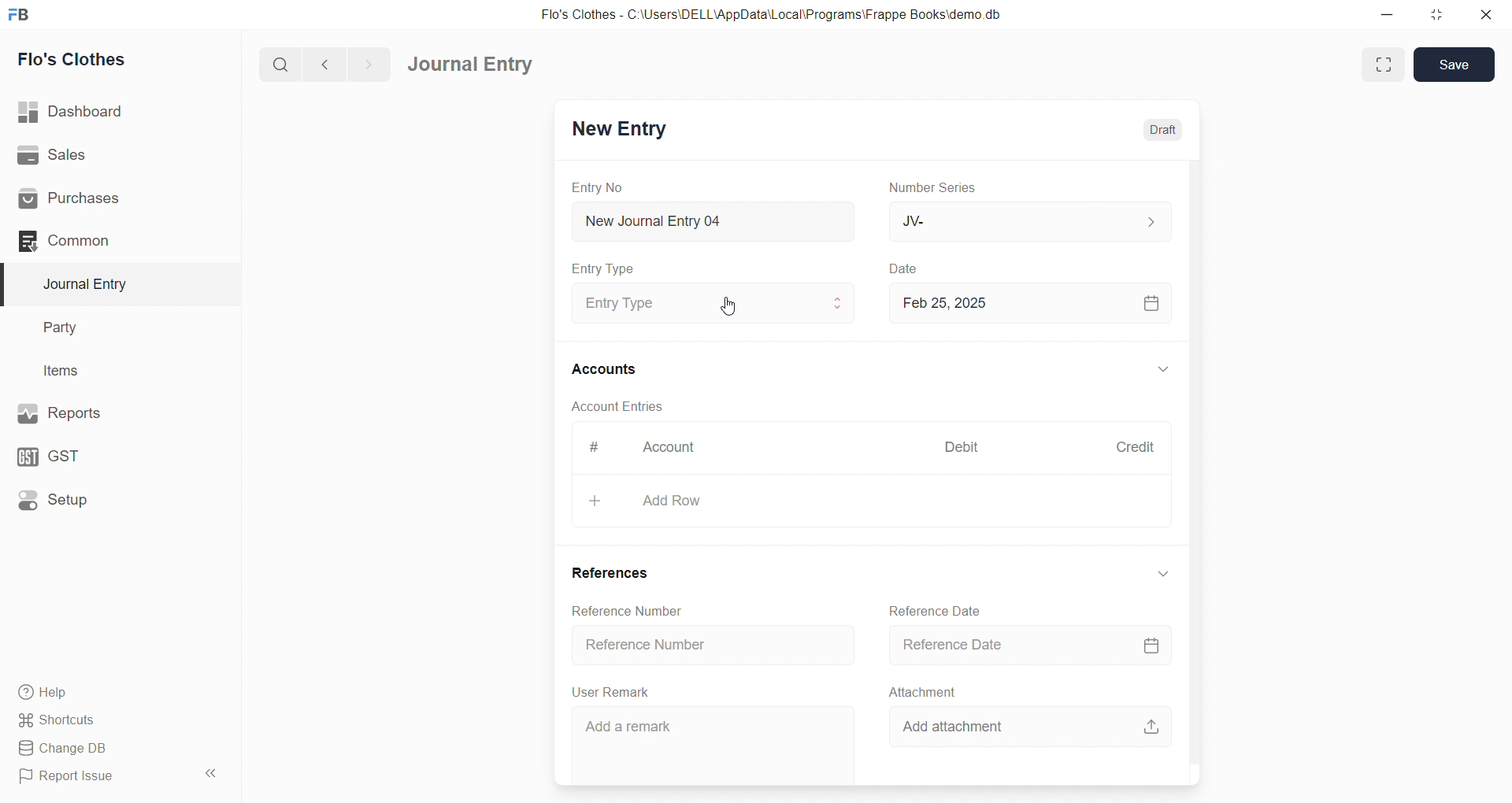 This screenshot has width=1512, height=803. Describe the element at coordinates (616, 405) in the screenshot. I see `Account Entries` at that location.